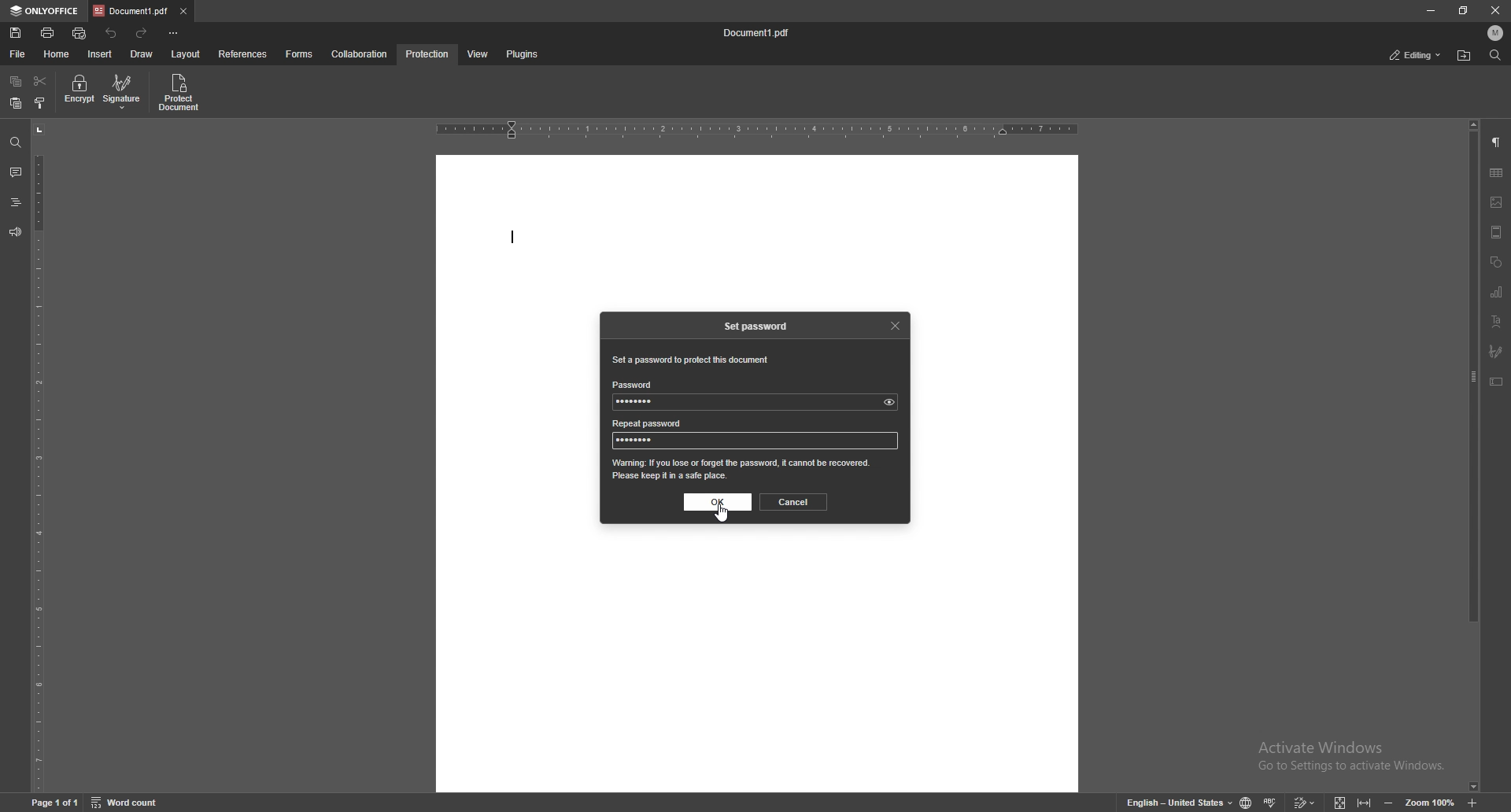 The image size is (1511, 812). I want to click on protection, so click(428, 54).